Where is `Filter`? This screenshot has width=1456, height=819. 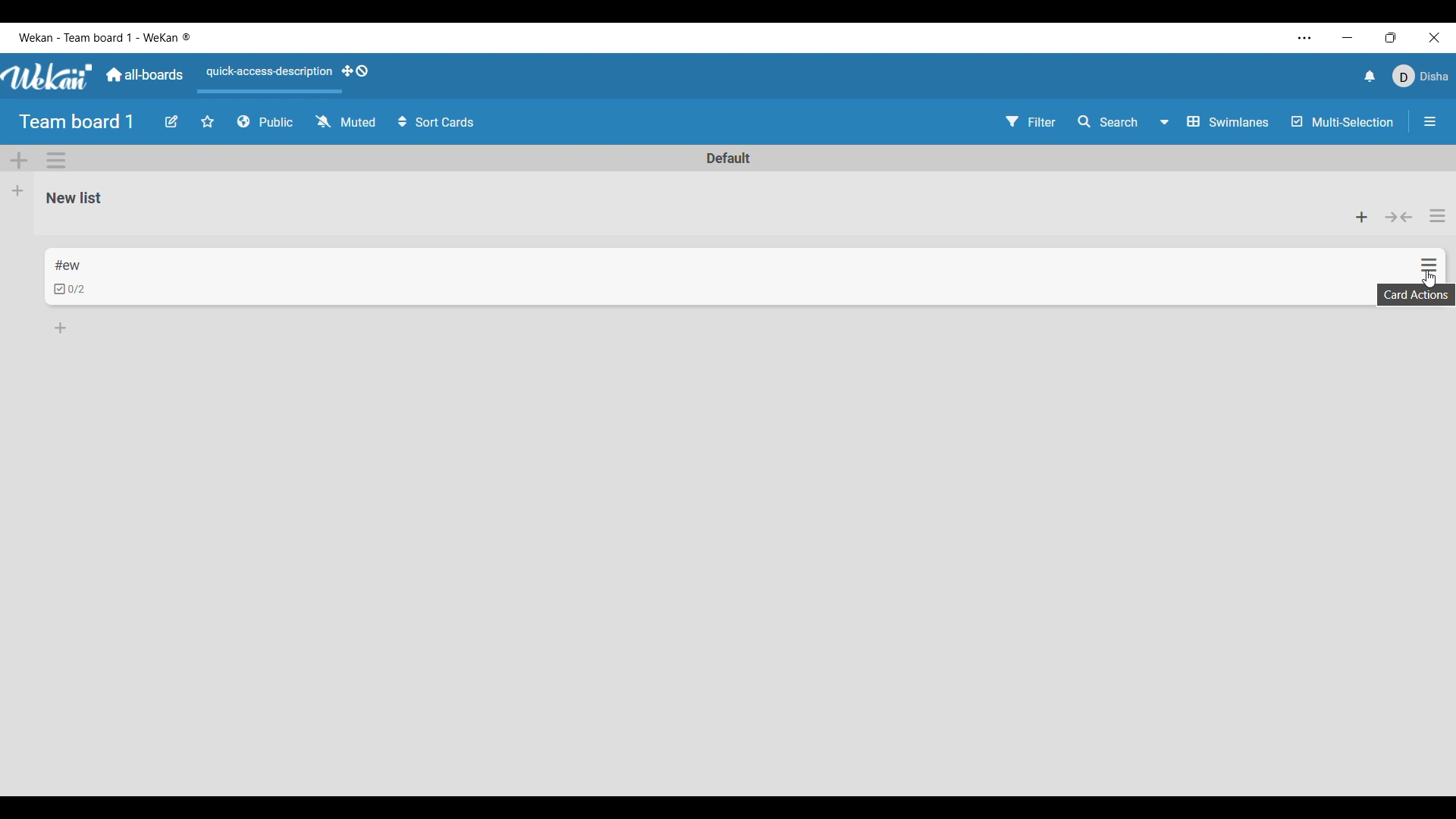
Filter is located at coordinates (1031, 121).